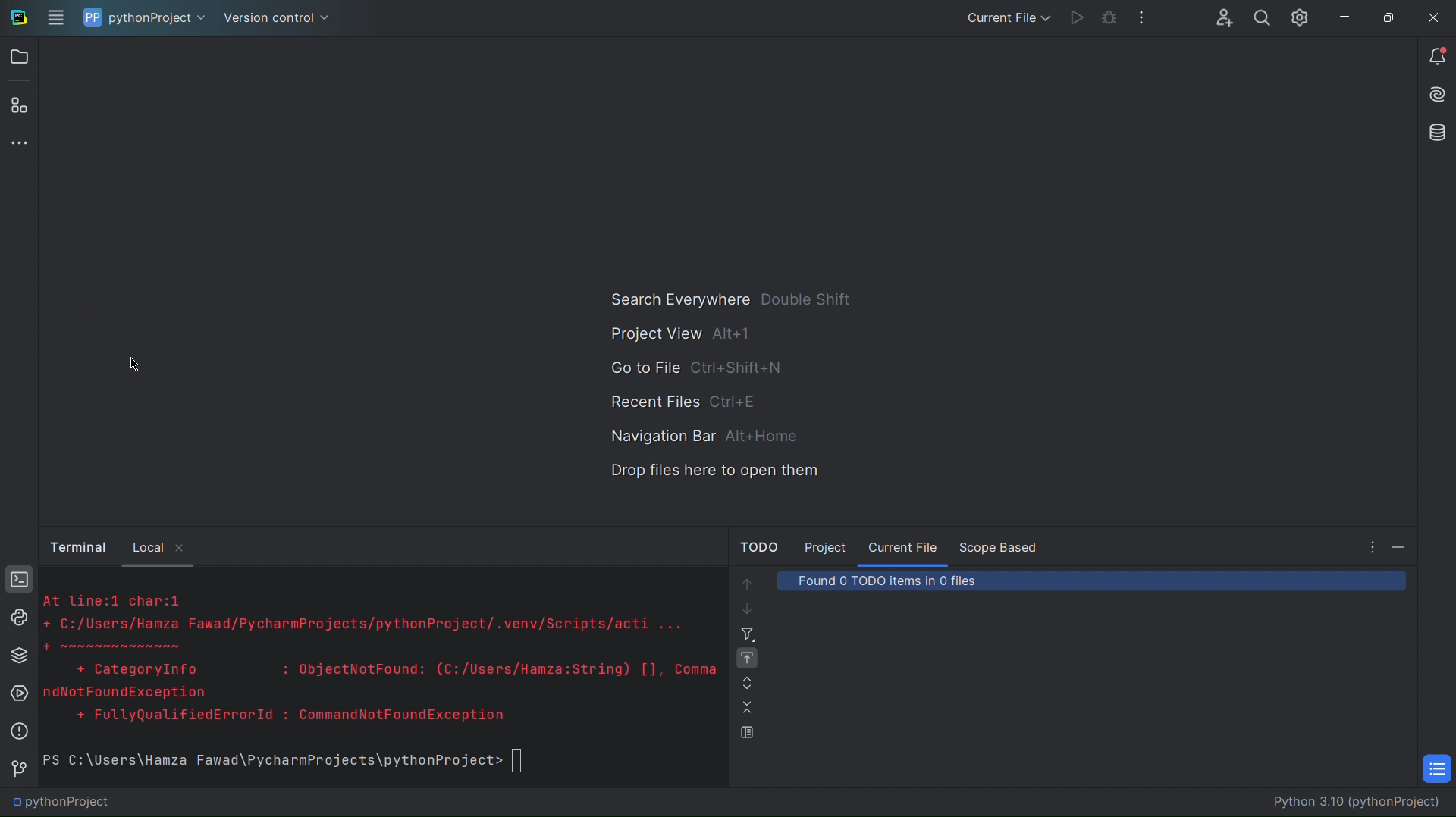 Image resolution: width=1456 pixels, height=817 pixels. Describe the element at coordinates (19, 143) in the screenshot. I see `More ` at that location.